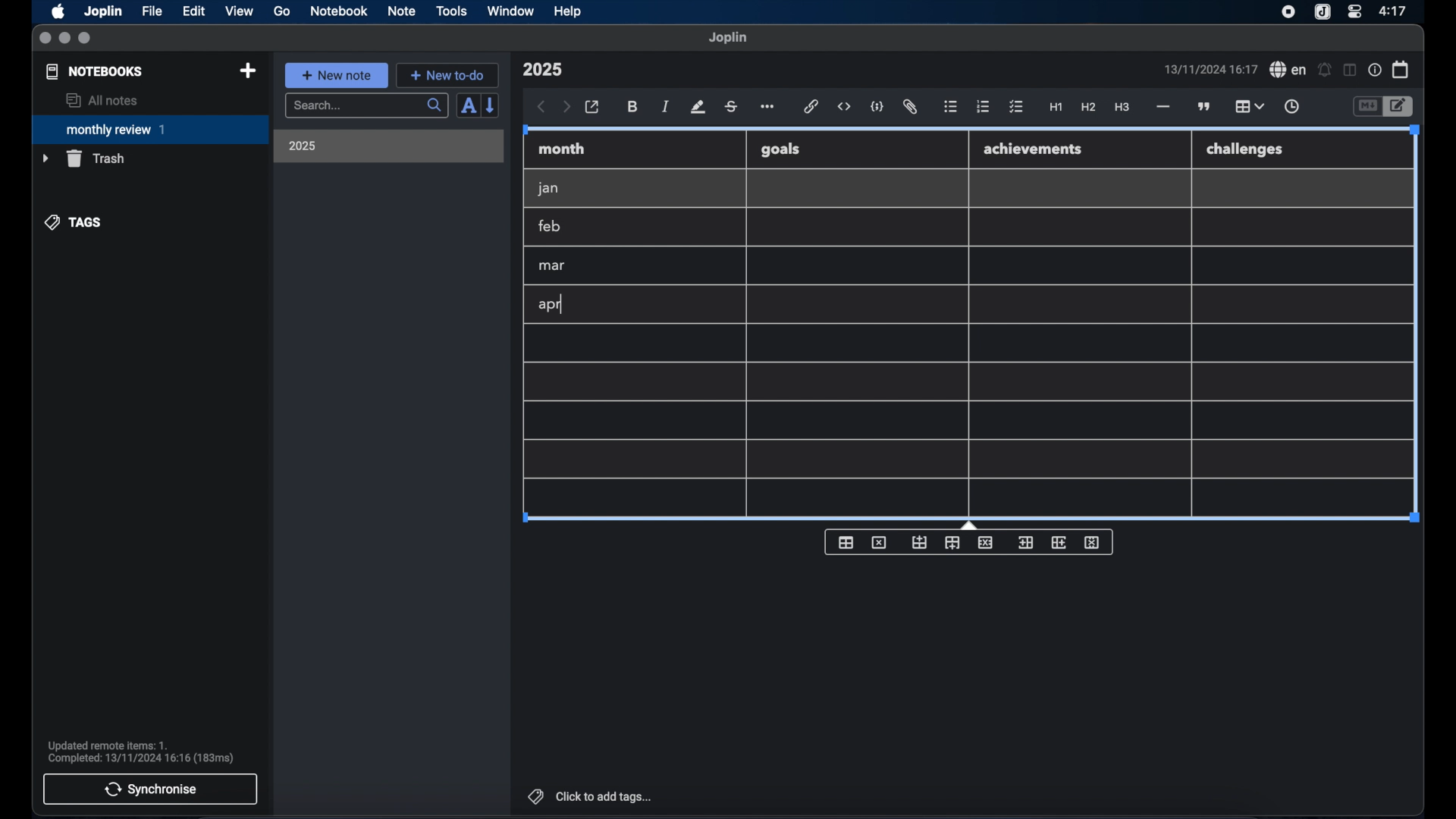  I want to click on delete table, so click(879, 543).